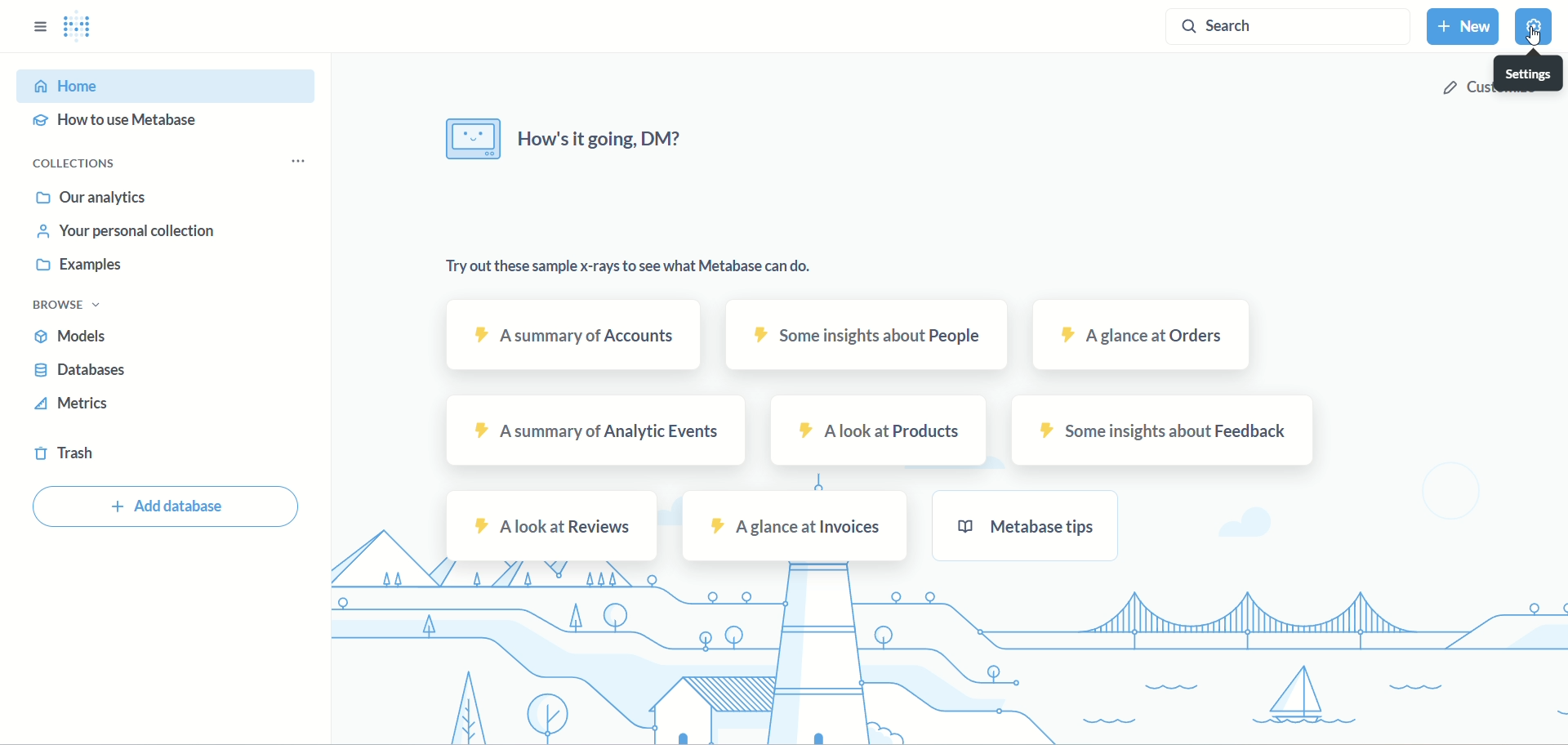 This screenshot has width=1568, height=745. Describe the element at coordinates (798, 525) in the screenshot. I see `invoices` at that location.